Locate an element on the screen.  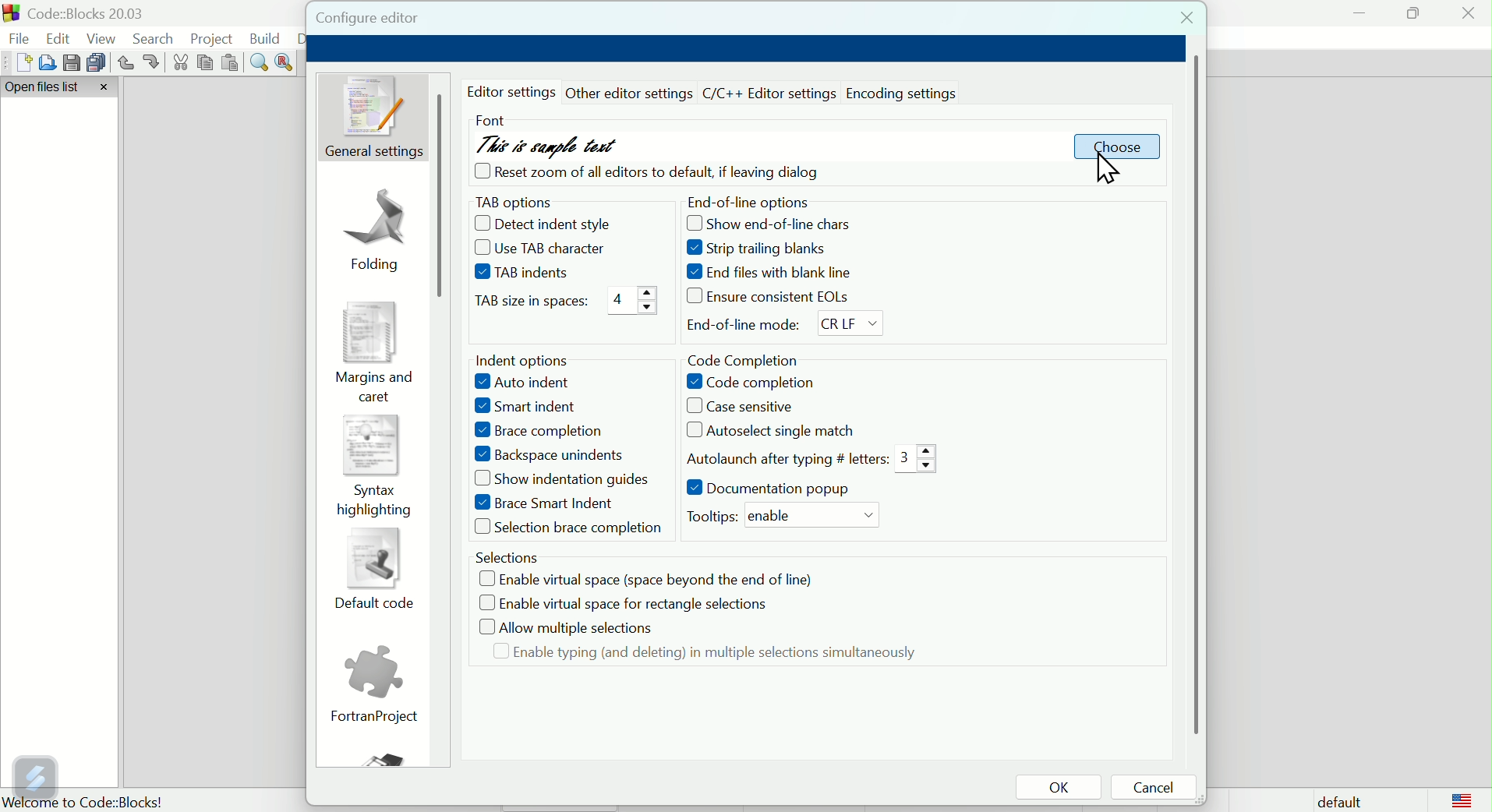
Folding is located at coordinates (374, 222).